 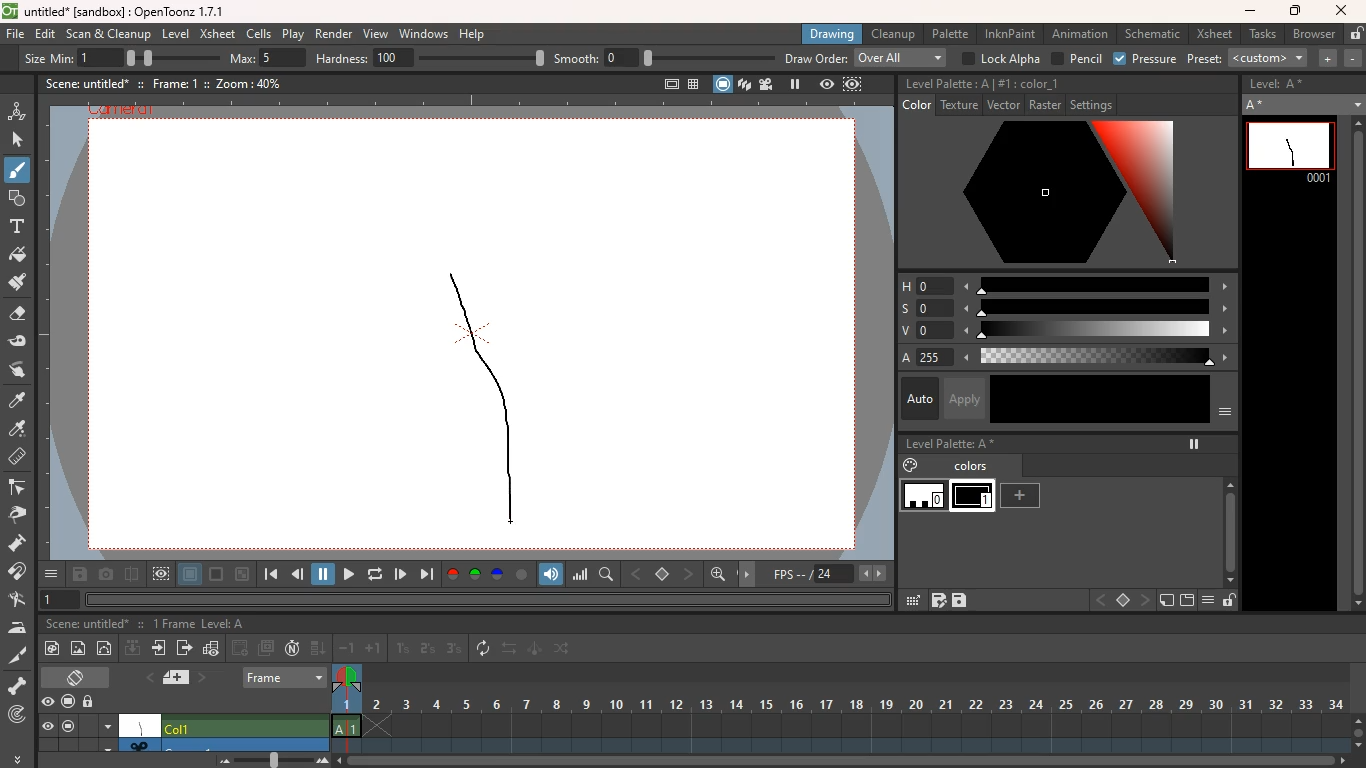 What do you see at coordinates (51, 574) in the screenshot?
I see `more` at bounding box center [51, 574].